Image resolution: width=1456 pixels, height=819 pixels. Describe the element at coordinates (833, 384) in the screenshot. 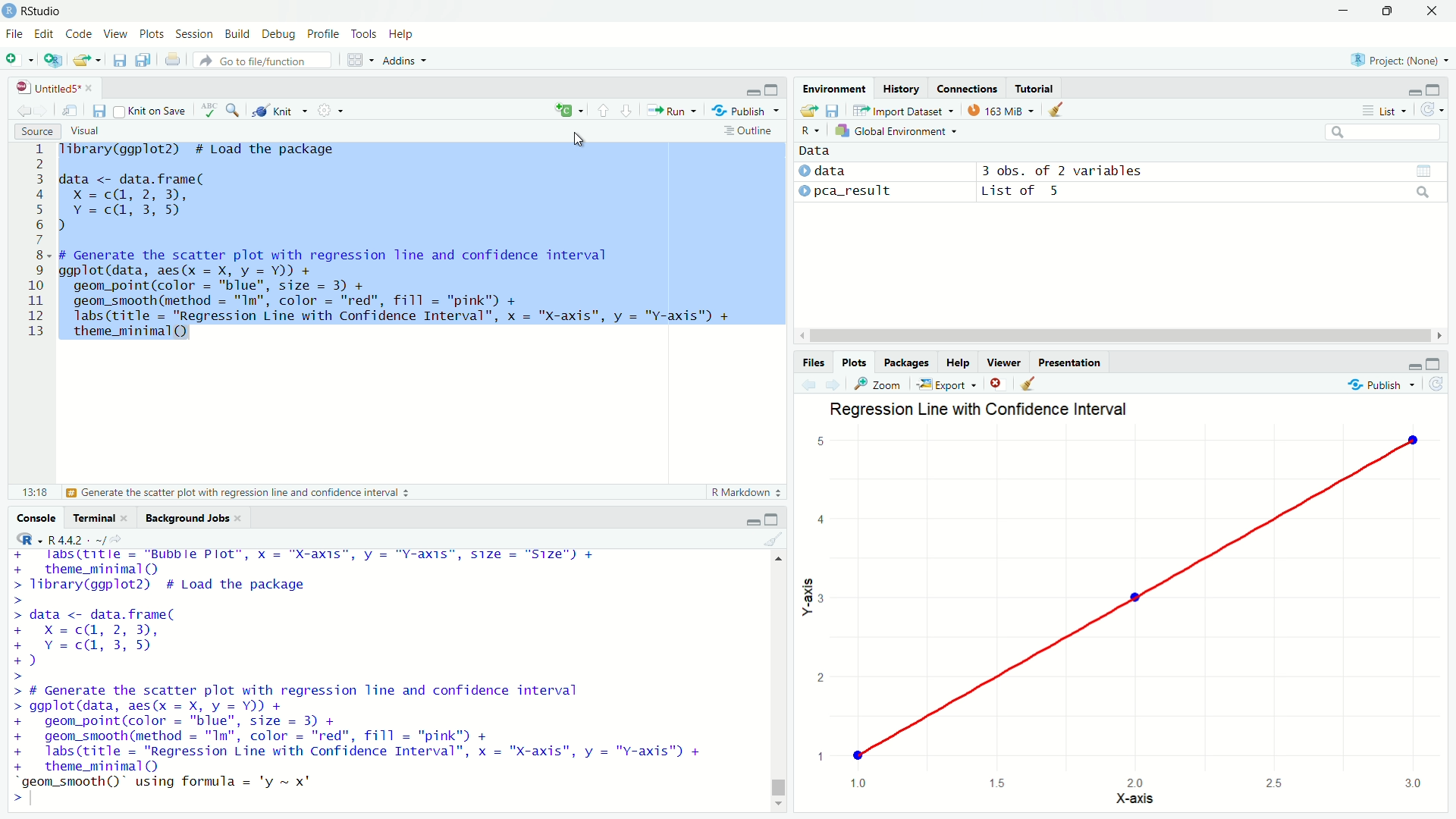

I see `Next plot` at that location.